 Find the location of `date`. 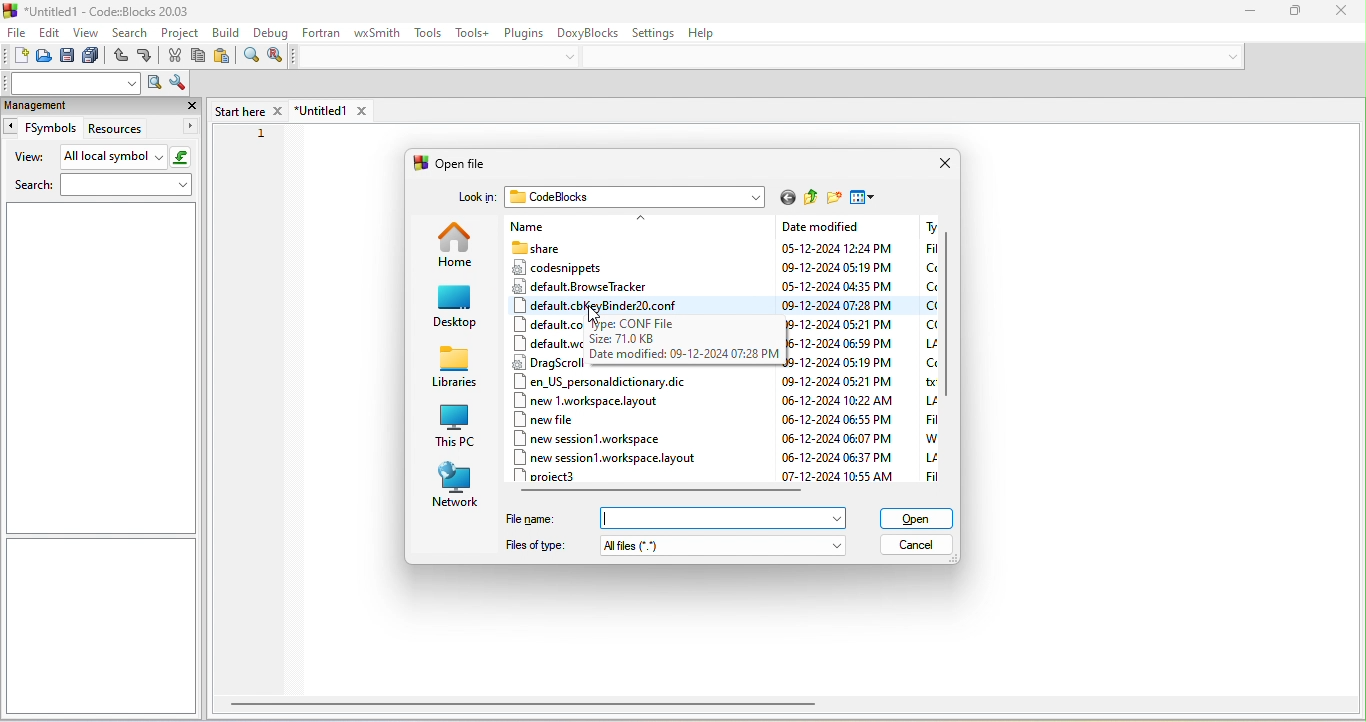

date is located at coordinates (837, 305).